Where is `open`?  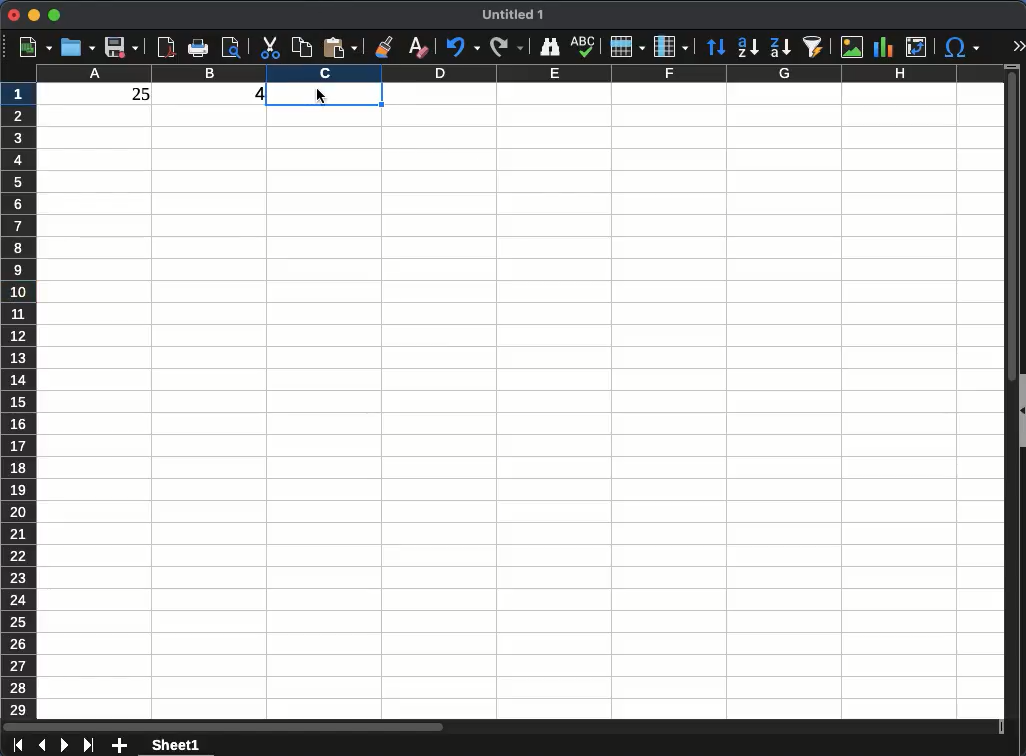
open is located at coordinates (78, 47).